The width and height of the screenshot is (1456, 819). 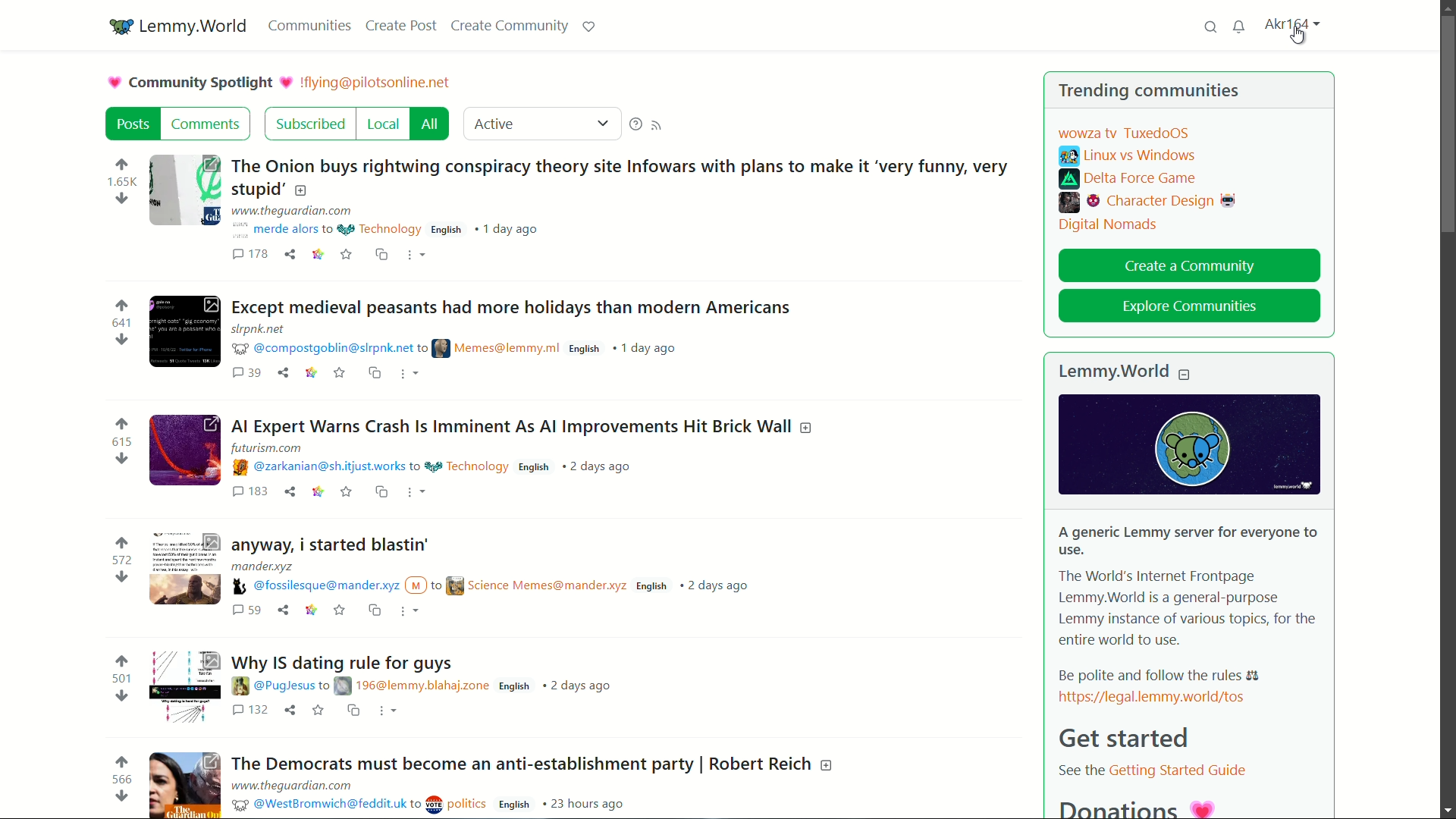 What do you see at coordinates (373, 608) in the screenshot?
I see `cs` at bounding box center [373, 608].